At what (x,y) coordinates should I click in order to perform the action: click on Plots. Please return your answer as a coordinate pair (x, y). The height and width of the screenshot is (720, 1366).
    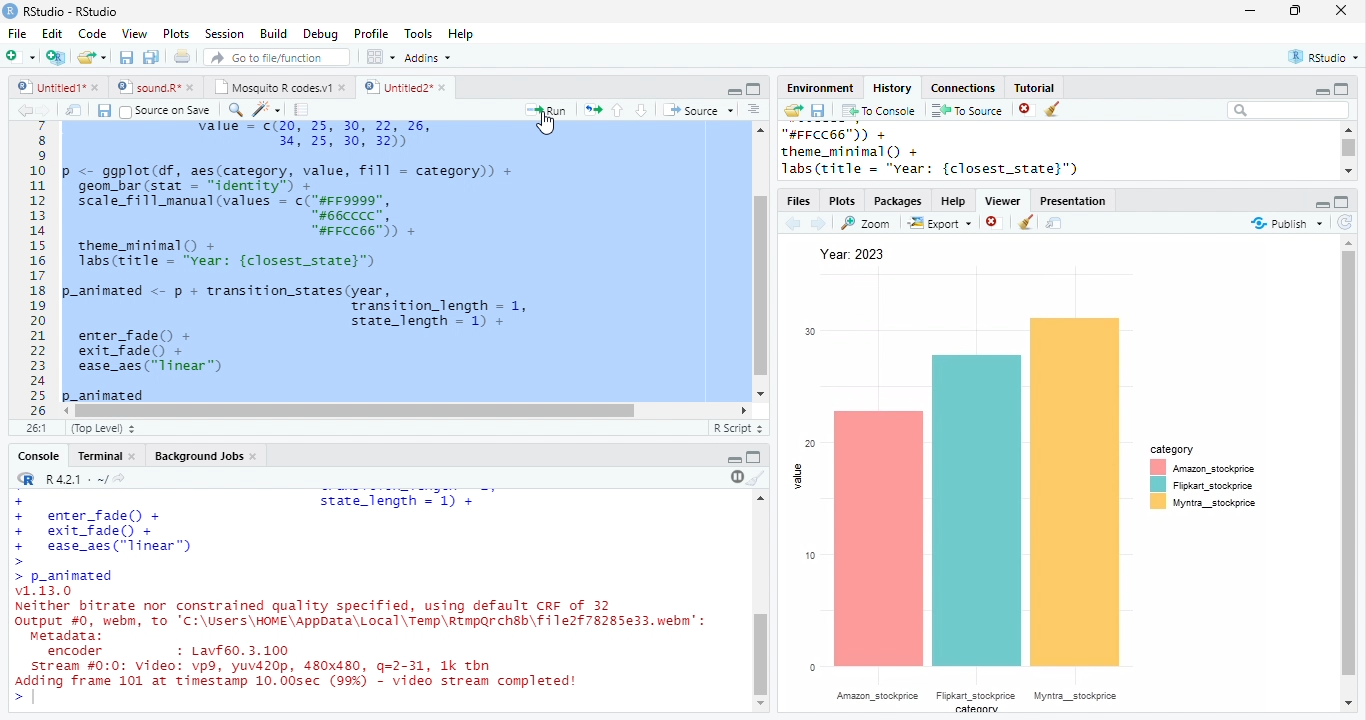
    Looking at the image, I should click on (842, 201).